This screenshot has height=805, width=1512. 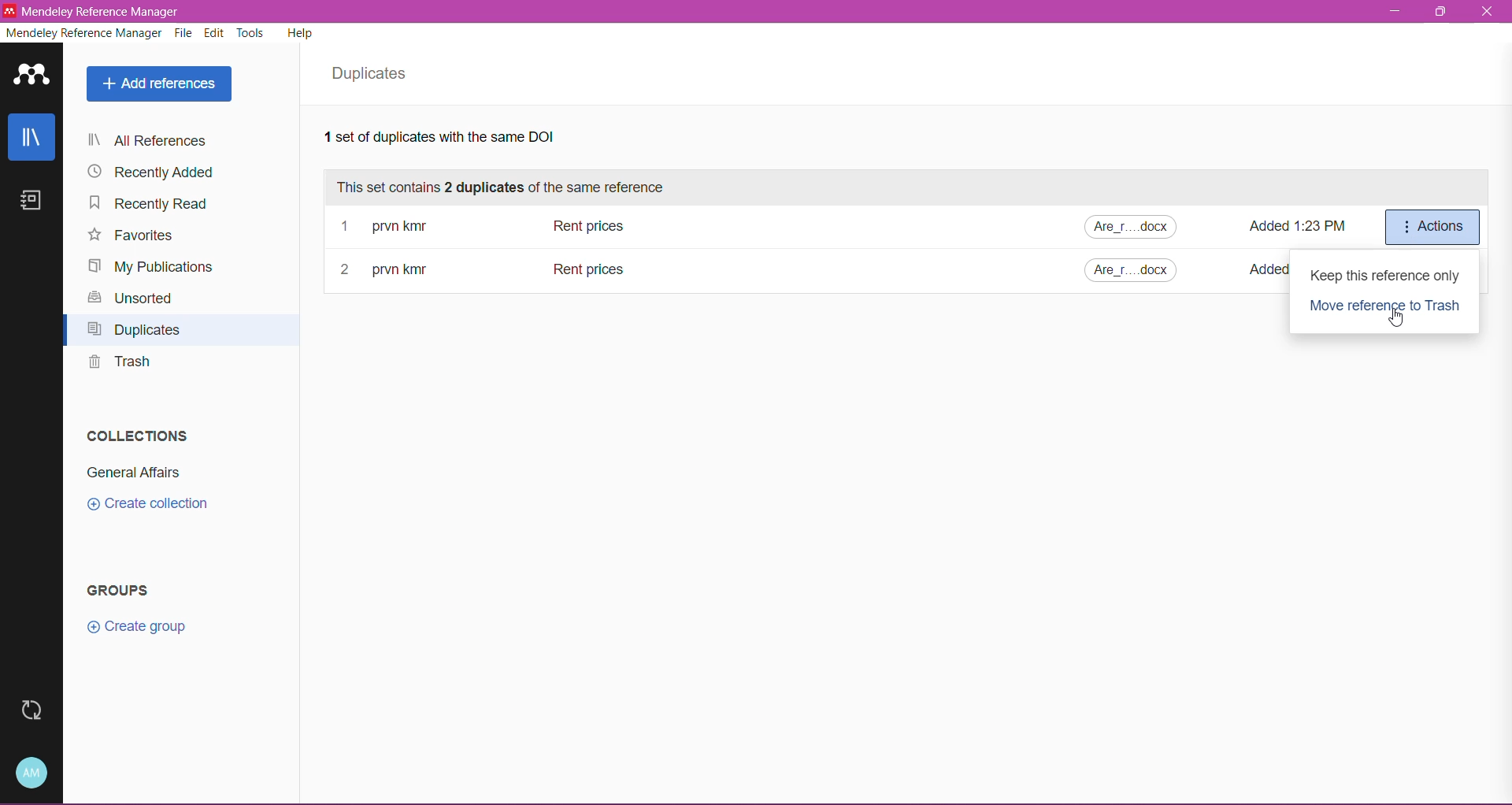 I want to click on Duplicates, so click(x=139, y=332).